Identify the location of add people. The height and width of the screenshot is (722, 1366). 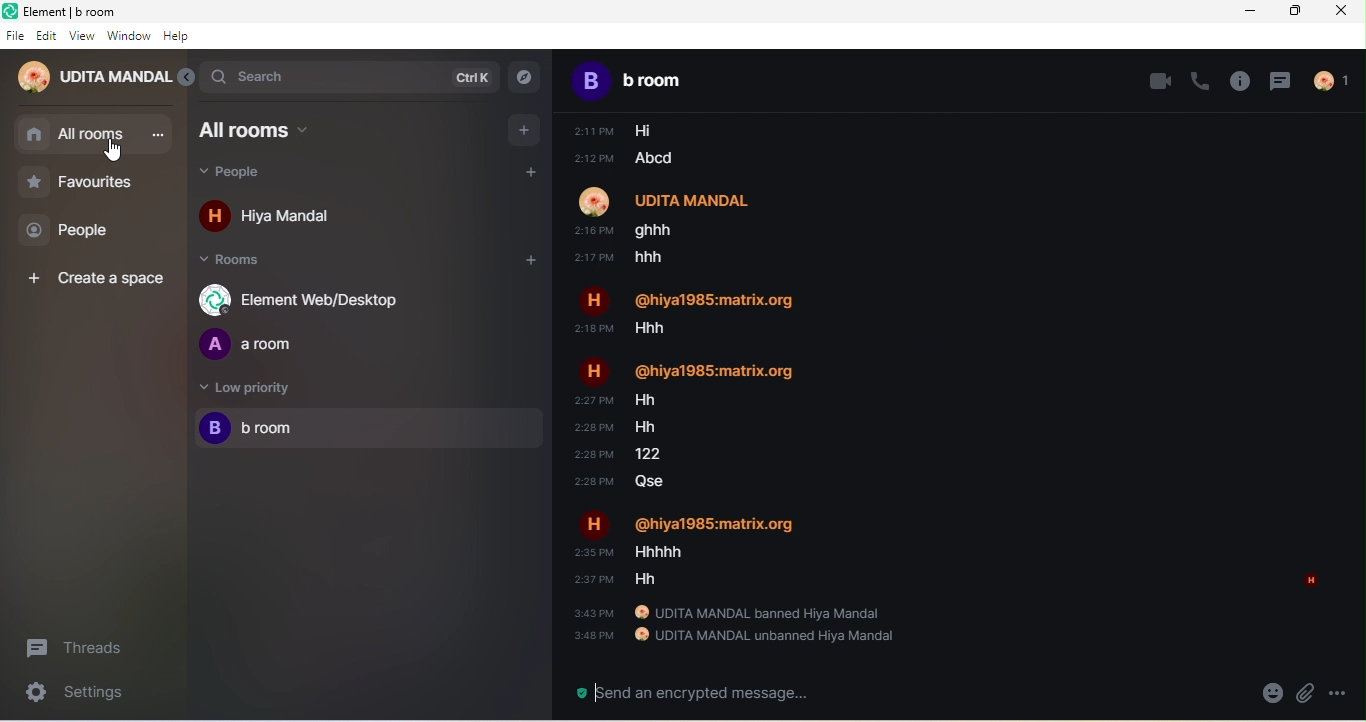
(536, 175).